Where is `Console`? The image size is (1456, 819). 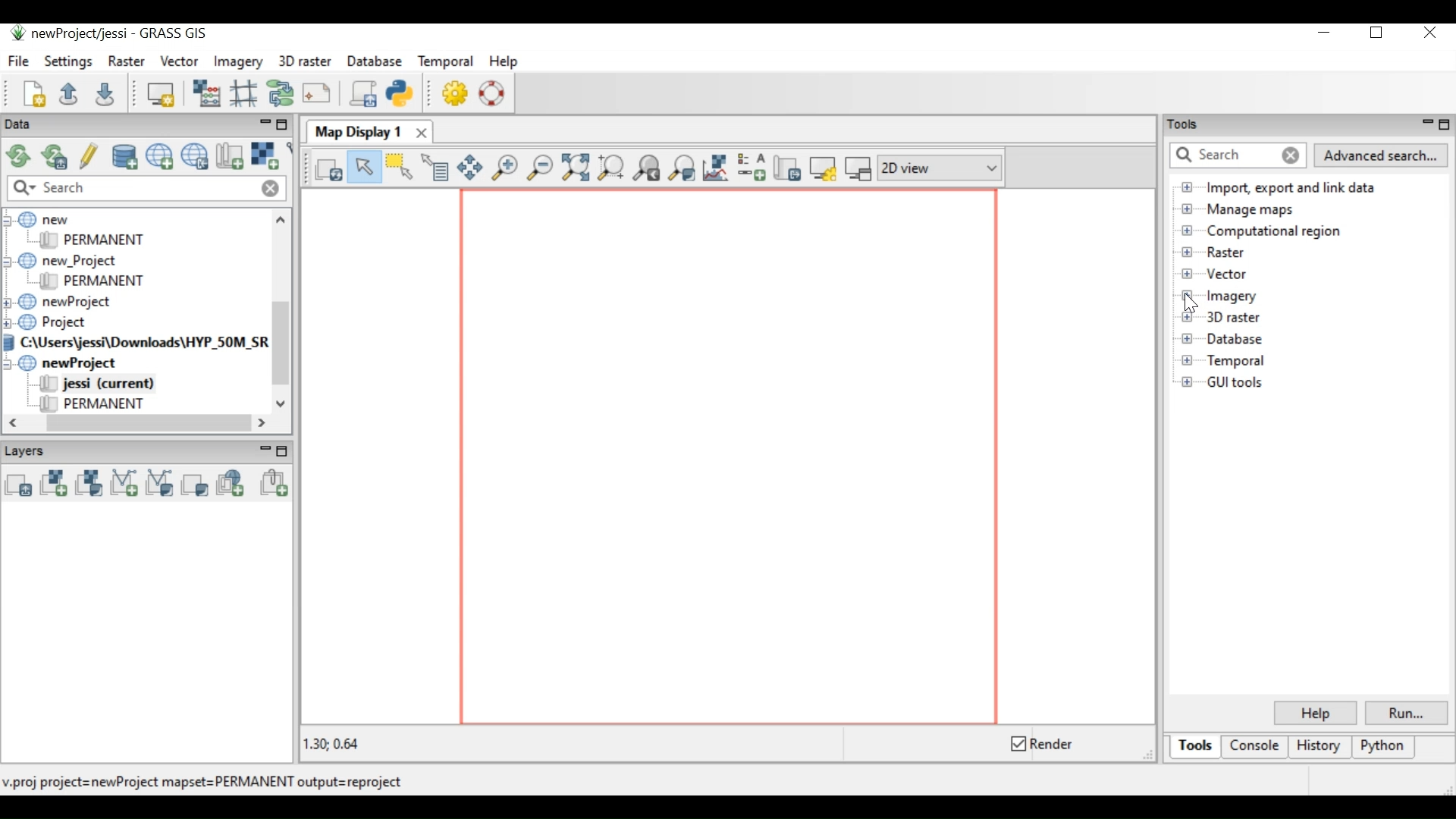
Console is located at coordinates (1252, 748).